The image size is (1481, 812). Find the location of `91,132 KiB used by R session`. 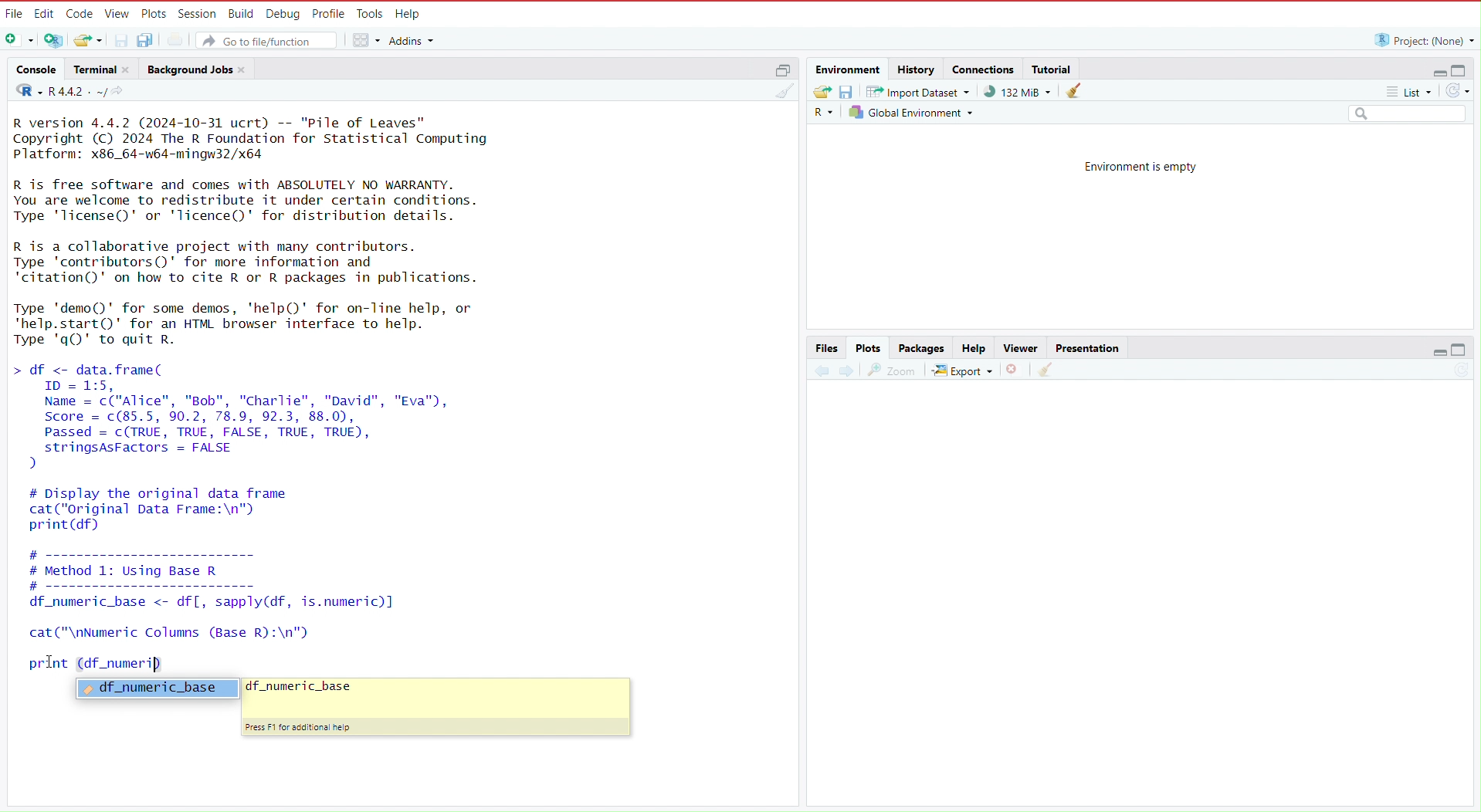

91,132 KiB used by R session is located at coordinates (1016, 92).